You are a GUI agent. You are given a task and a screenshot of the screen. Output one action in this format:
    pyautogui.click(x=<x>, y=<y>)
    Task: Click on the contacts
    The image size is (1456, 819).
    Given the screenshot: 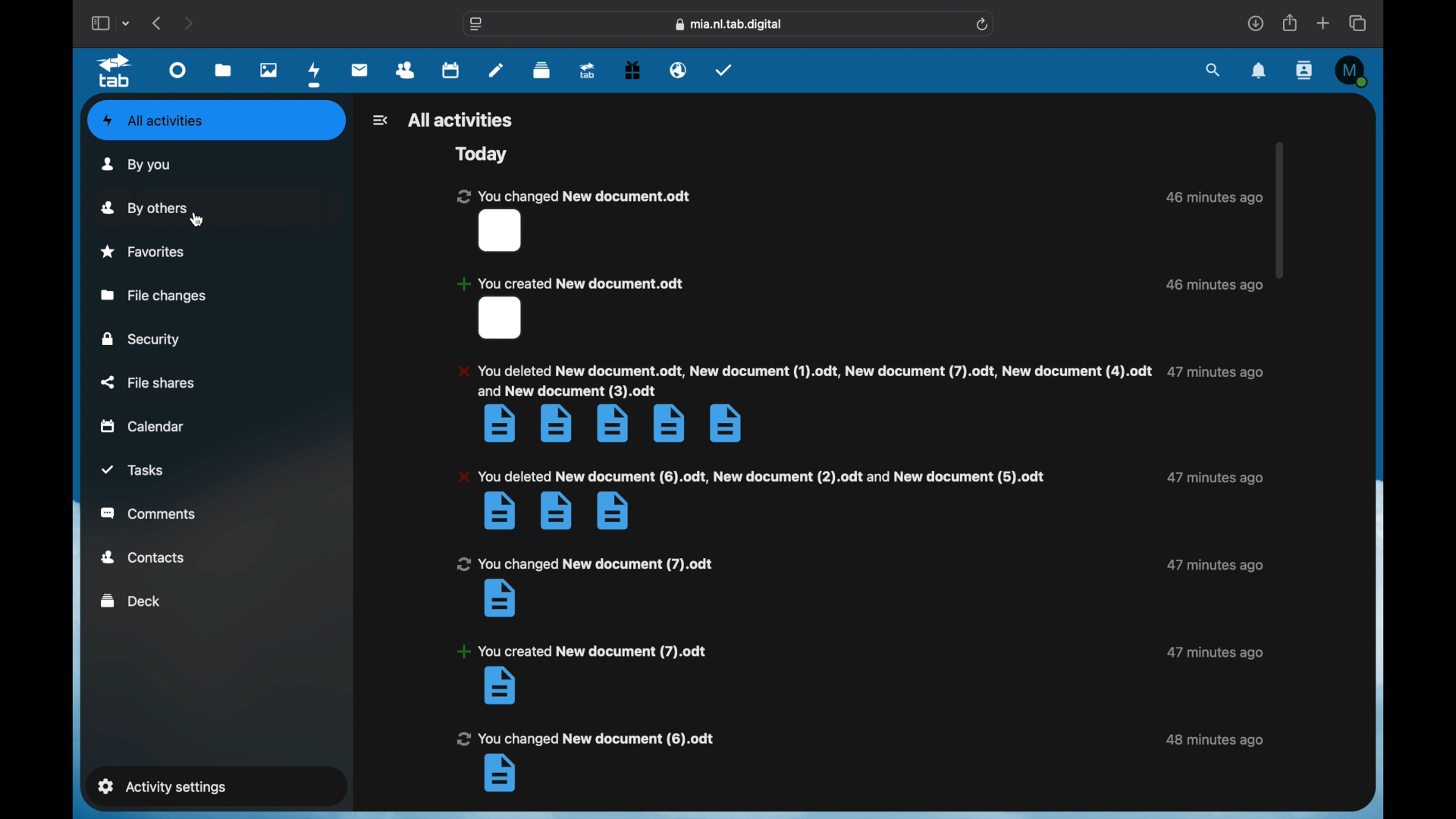 What is the action you would take?
    pyautogui.click(x=406, y=71)
    